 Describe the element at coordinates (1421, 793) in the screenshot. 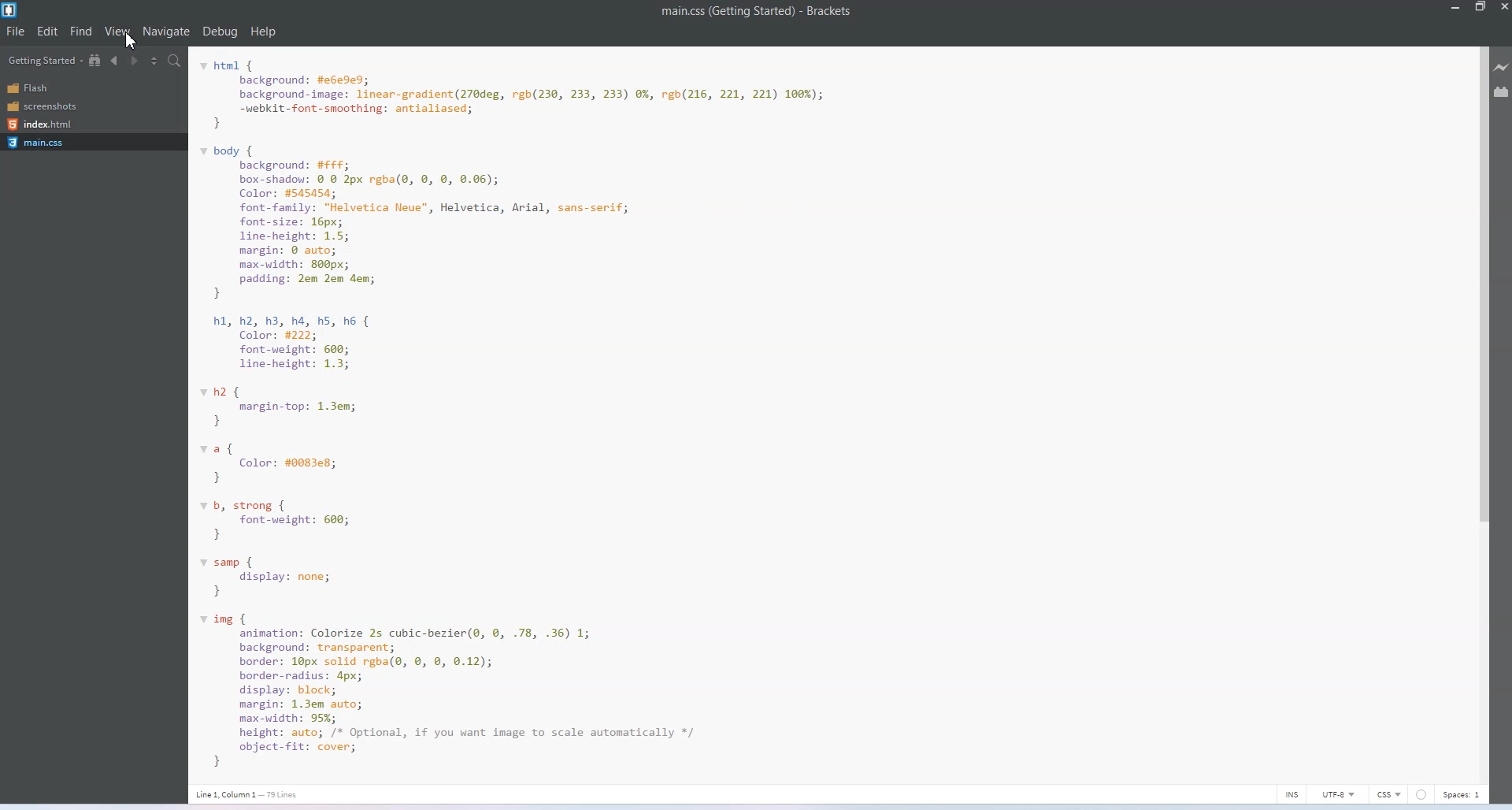

I see `errors` at that location.